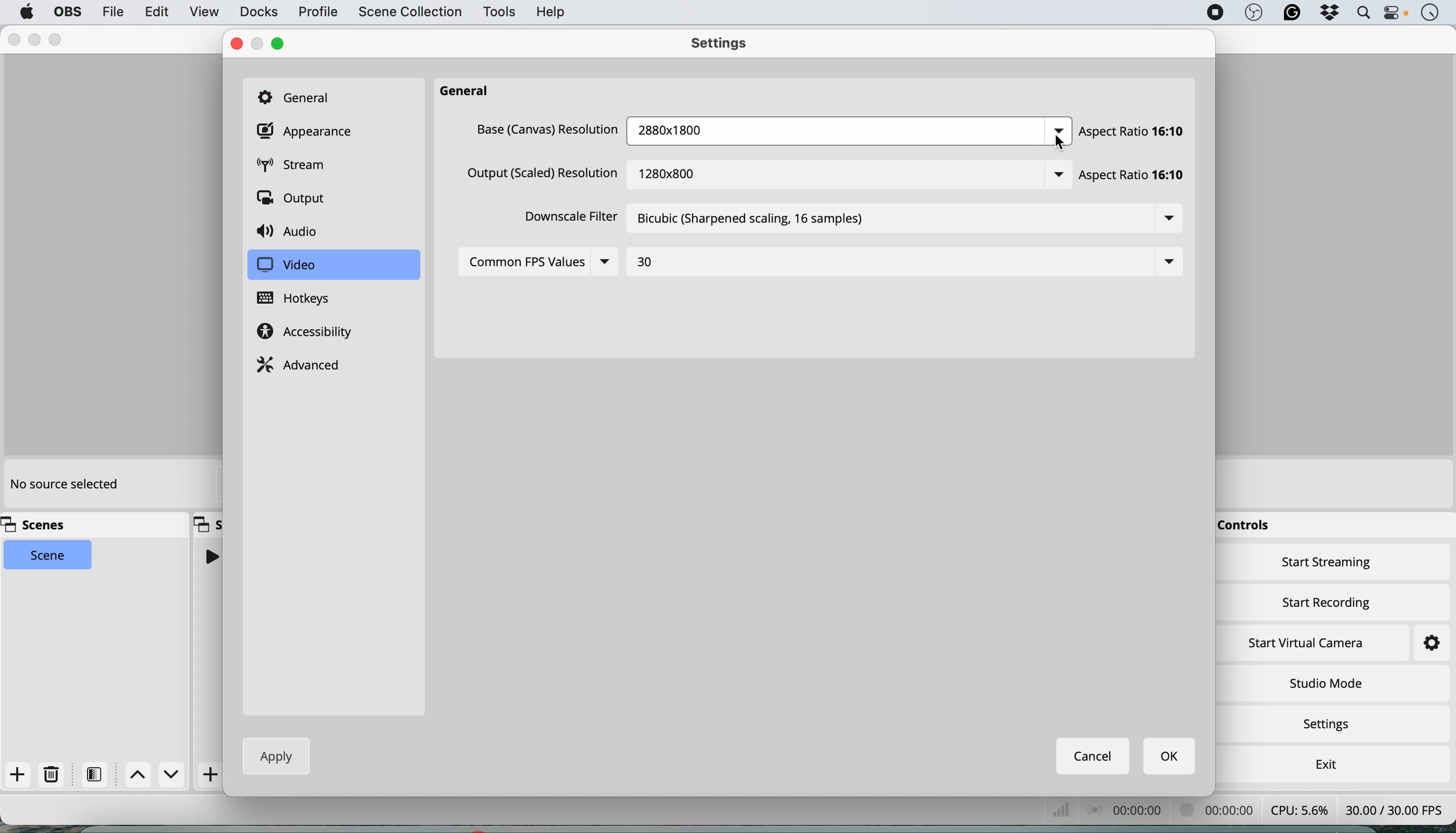 The width and height of the screenshot is (1456, 833). What do you see at coordinates (300, 96) in the screenshot?
I see `general` at bounding box center [300, 96].